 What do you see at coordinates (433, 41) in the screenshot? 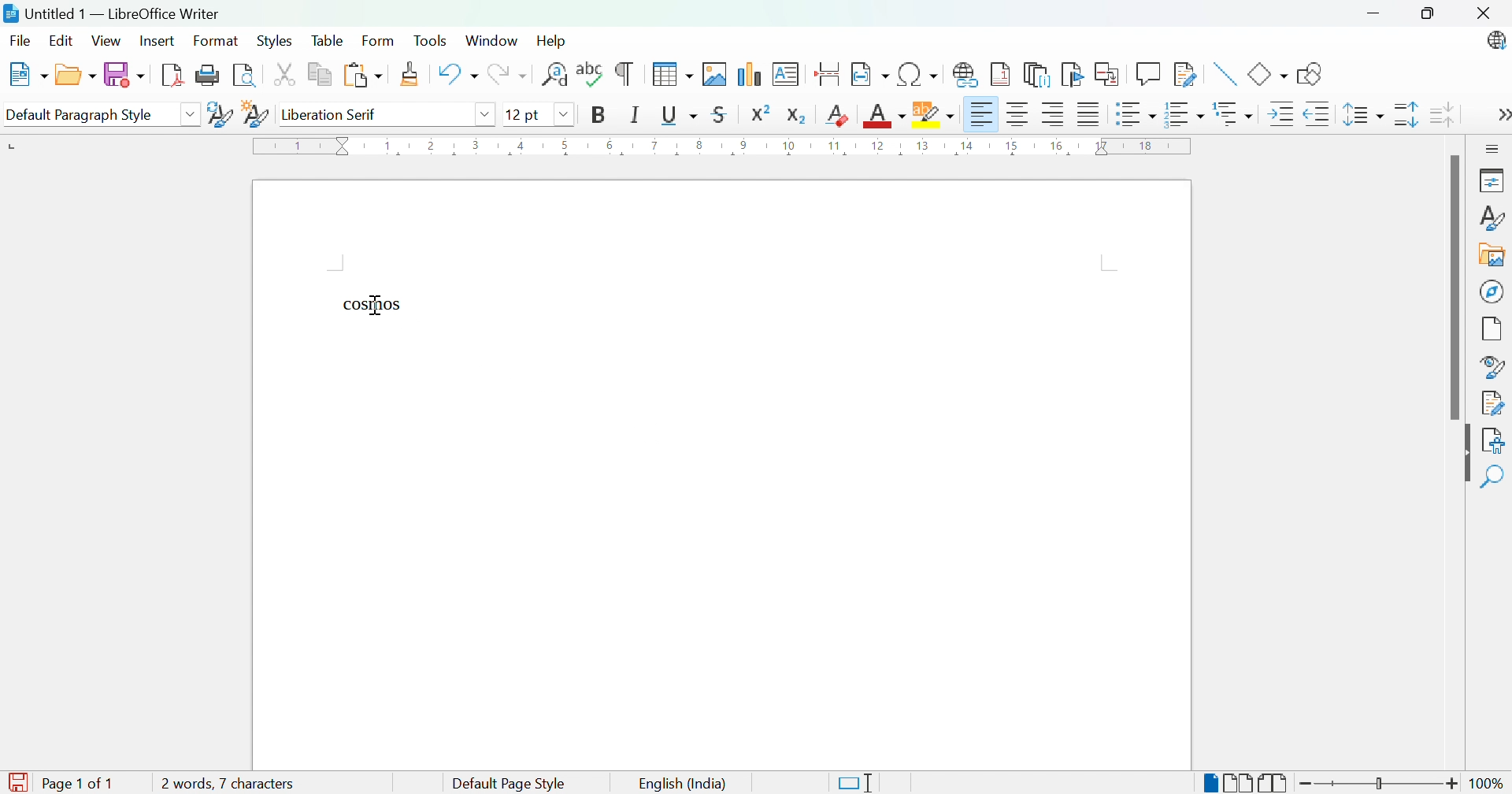
I see `Tools` at bounding box center [433, 41].